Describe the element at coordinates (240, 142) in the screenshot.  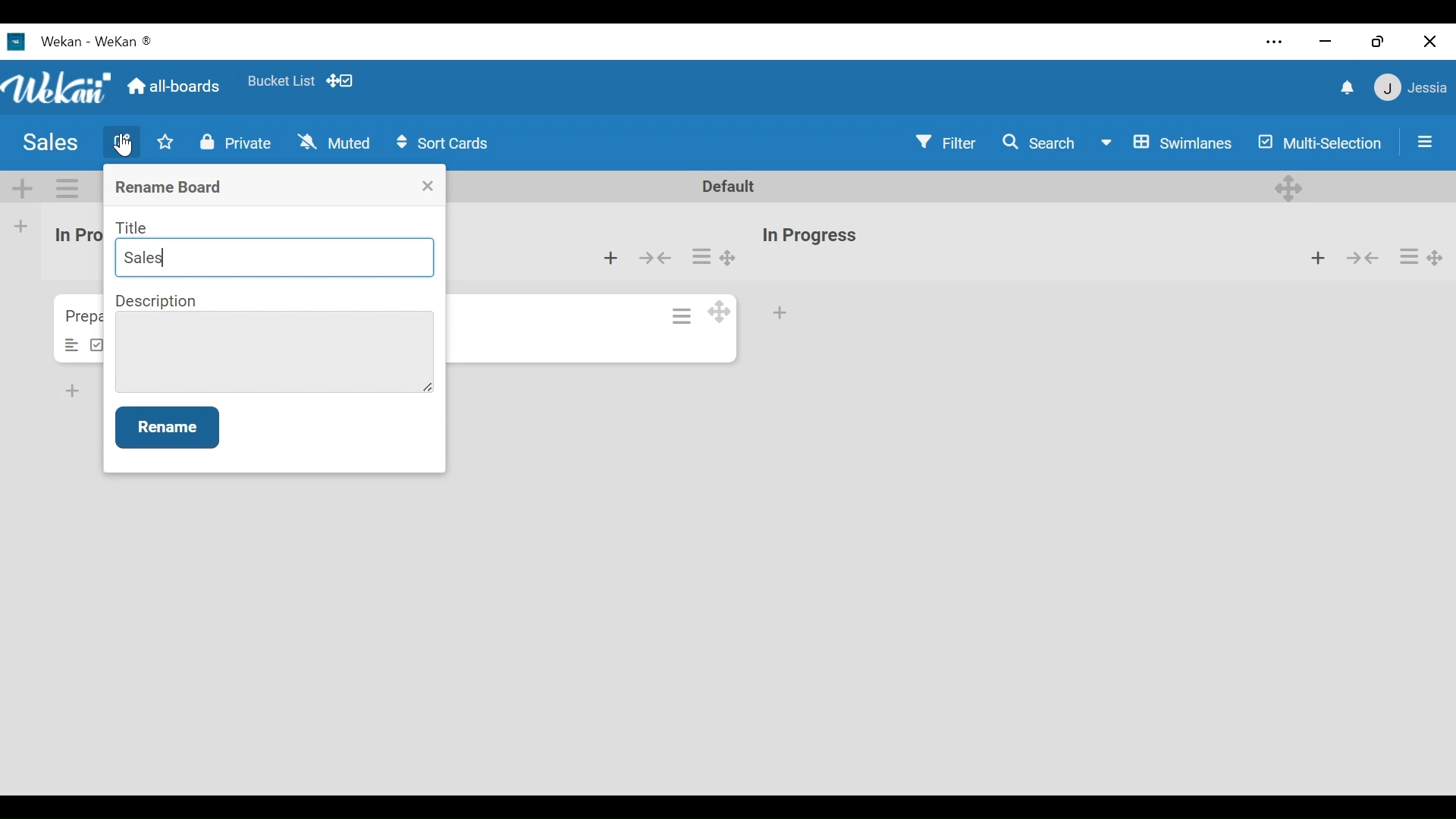
I see `Private` at that location.